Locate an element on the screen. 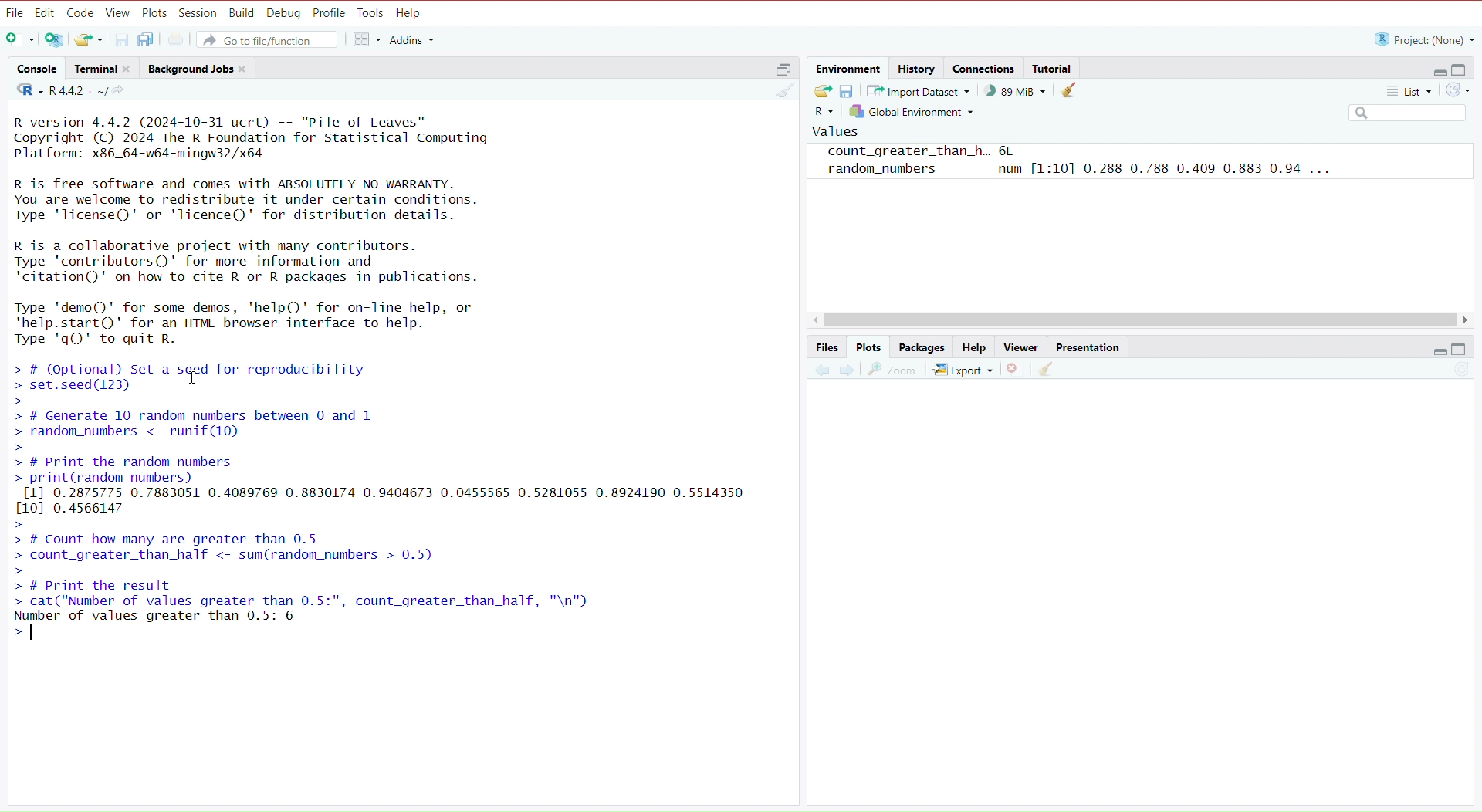 The width and height of the screenshot is (1482, 812). Edit is located at coordinates (46, 12).